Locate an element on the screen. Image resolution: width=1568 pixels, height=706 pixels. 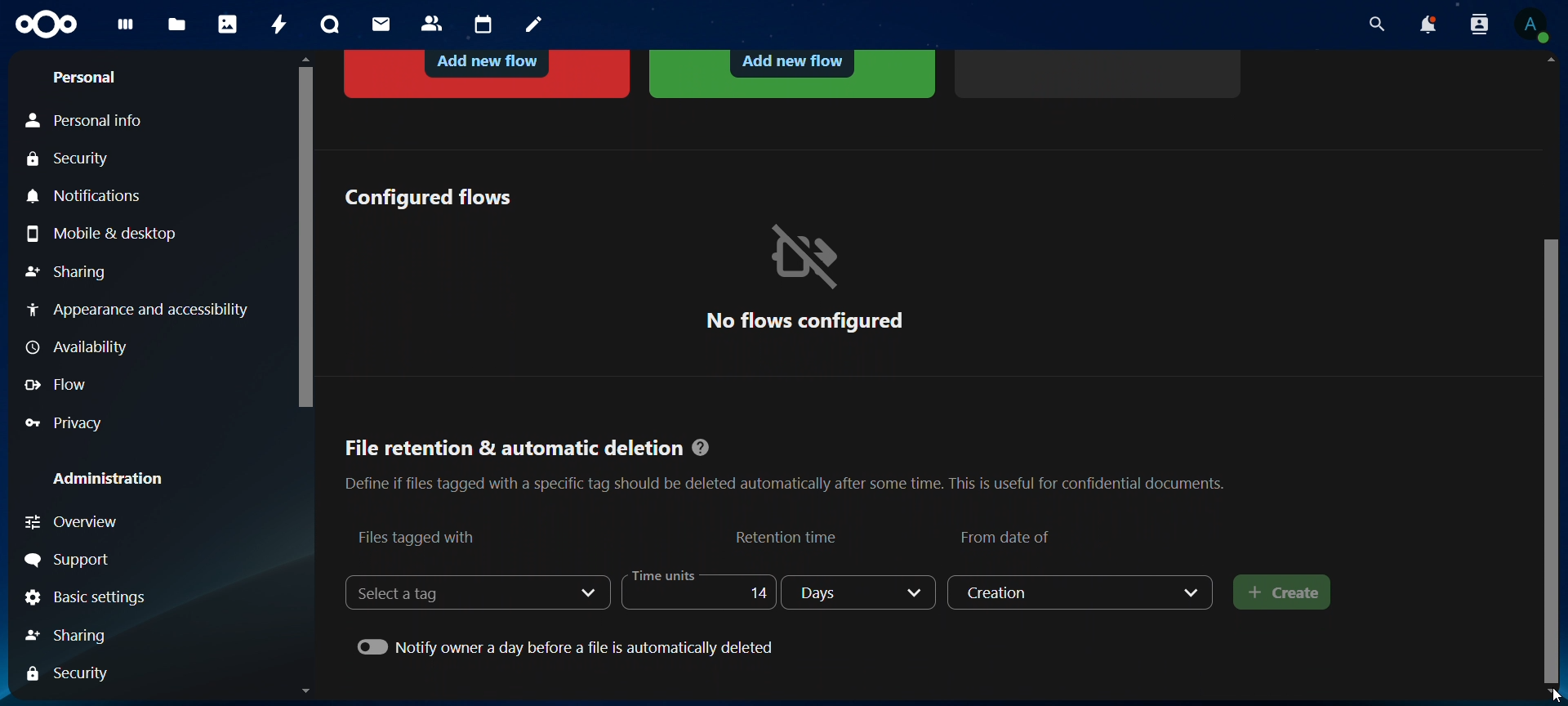
talk is located at coordinates (330, 25).